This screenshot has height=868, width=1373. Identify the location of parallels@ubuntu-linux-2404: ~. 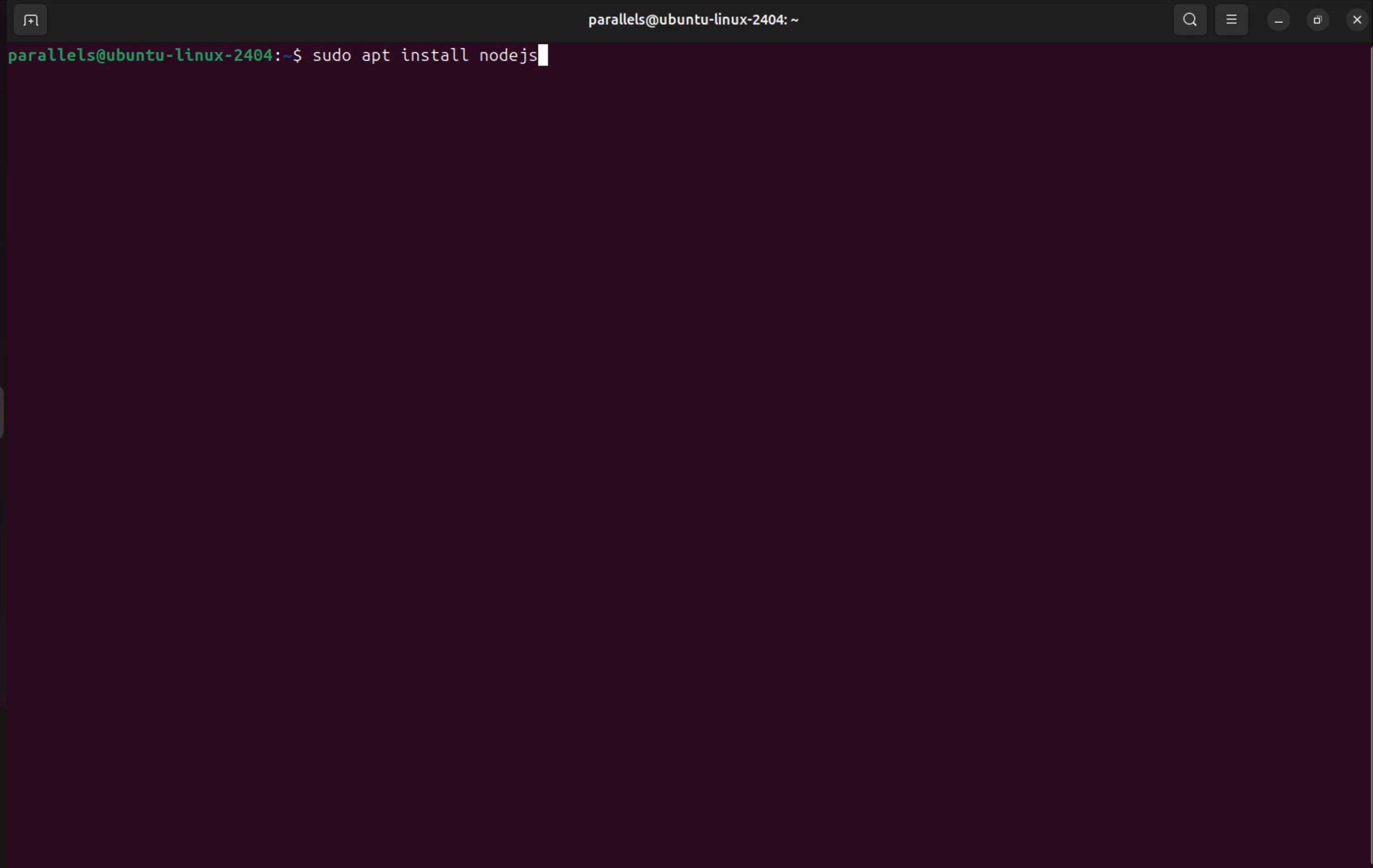
(687, 22).